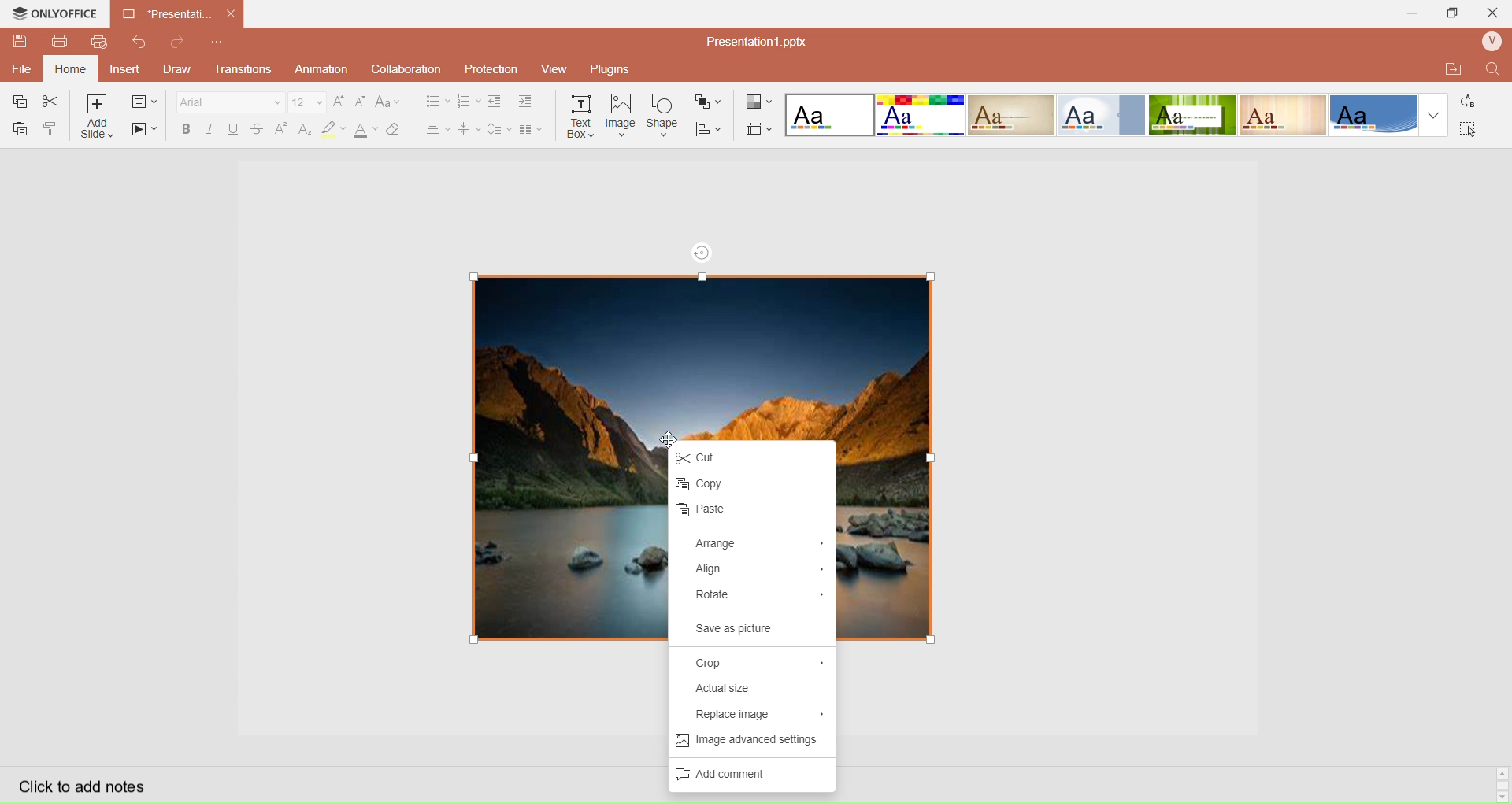  I want to click on Decrease Font Size, so click(361, 102).